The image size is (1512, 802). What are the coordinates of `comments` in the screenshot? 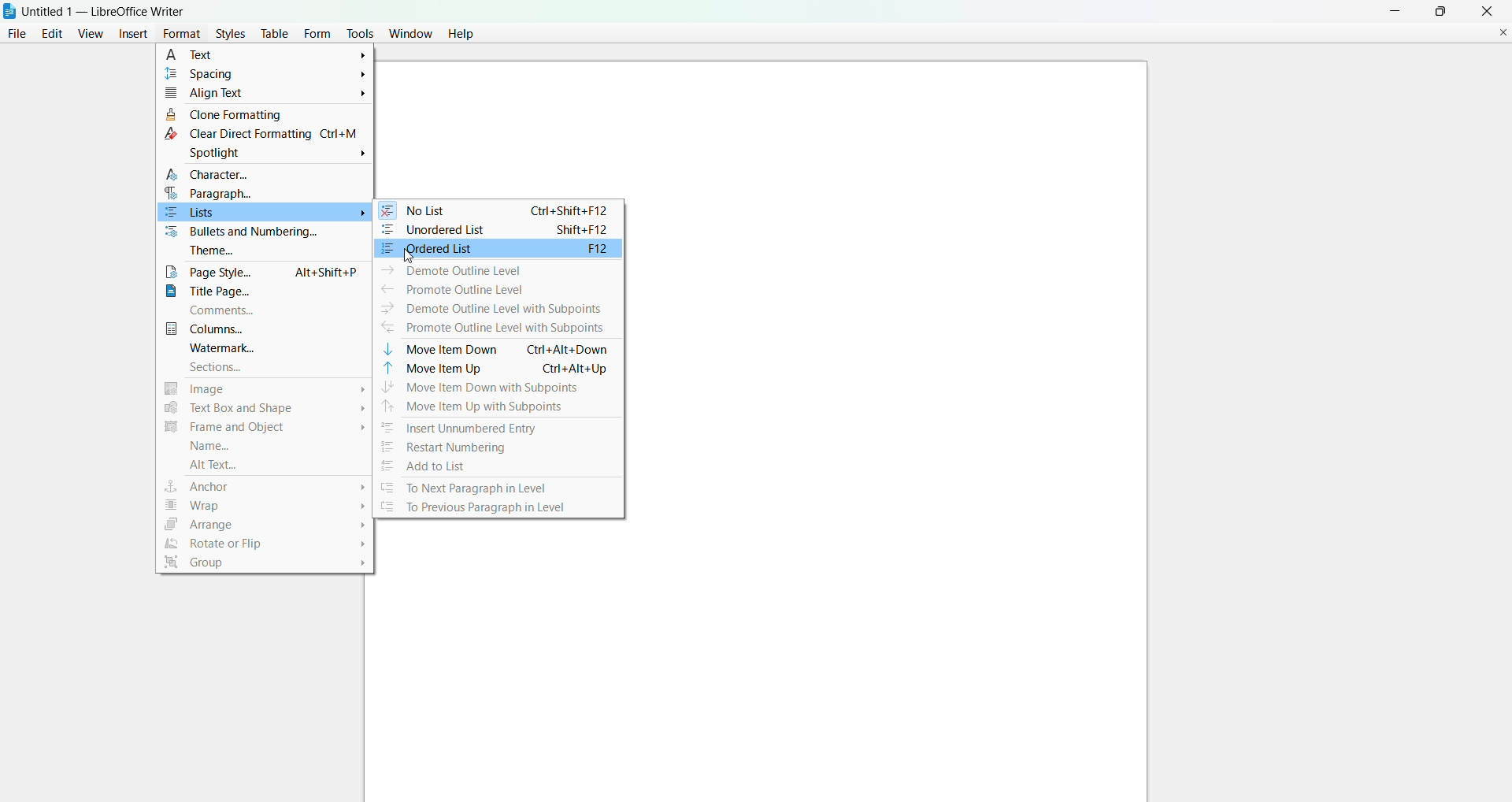 It's located at (217, 311).